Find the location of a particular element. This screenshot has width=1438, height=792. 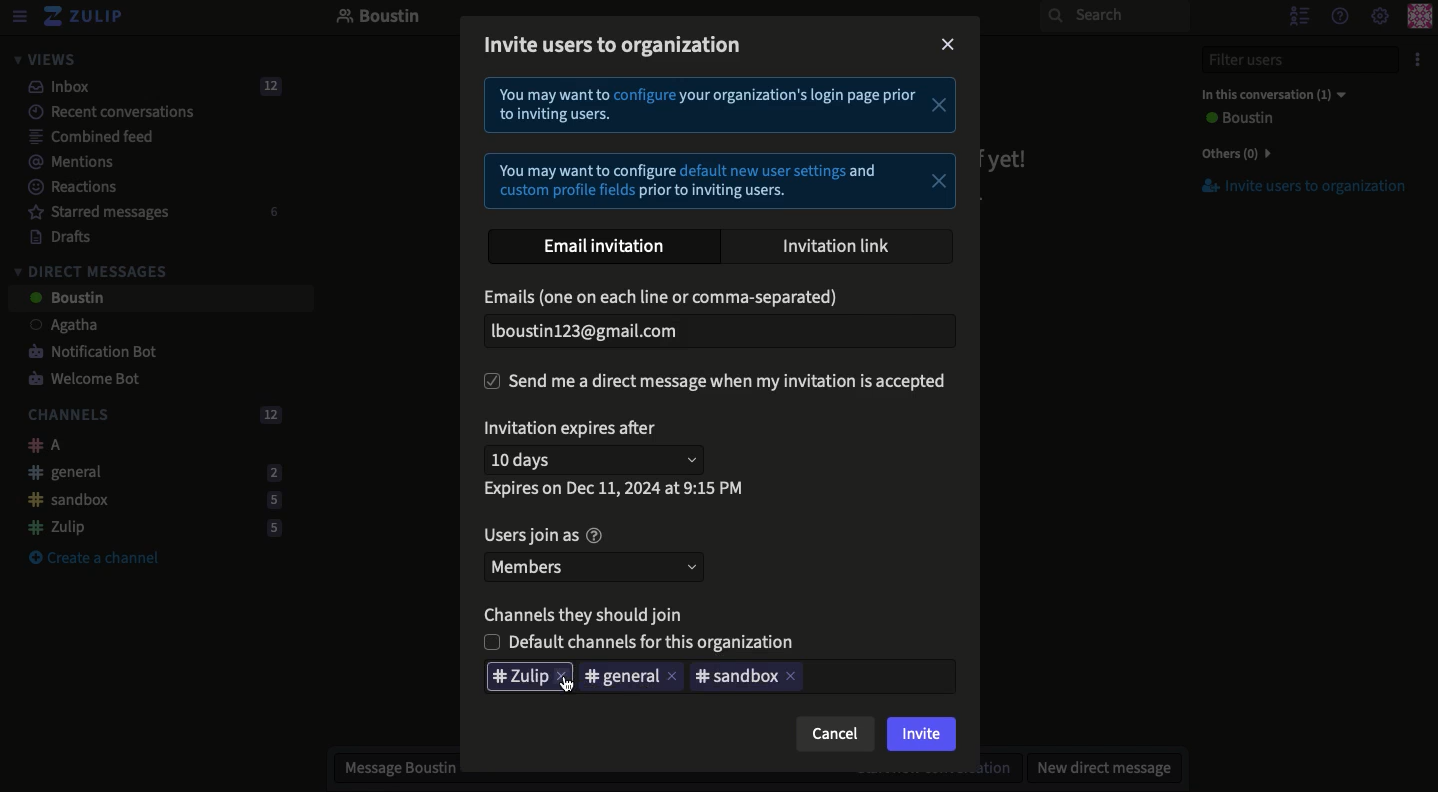

Email  is located at coordinates (666, 299).